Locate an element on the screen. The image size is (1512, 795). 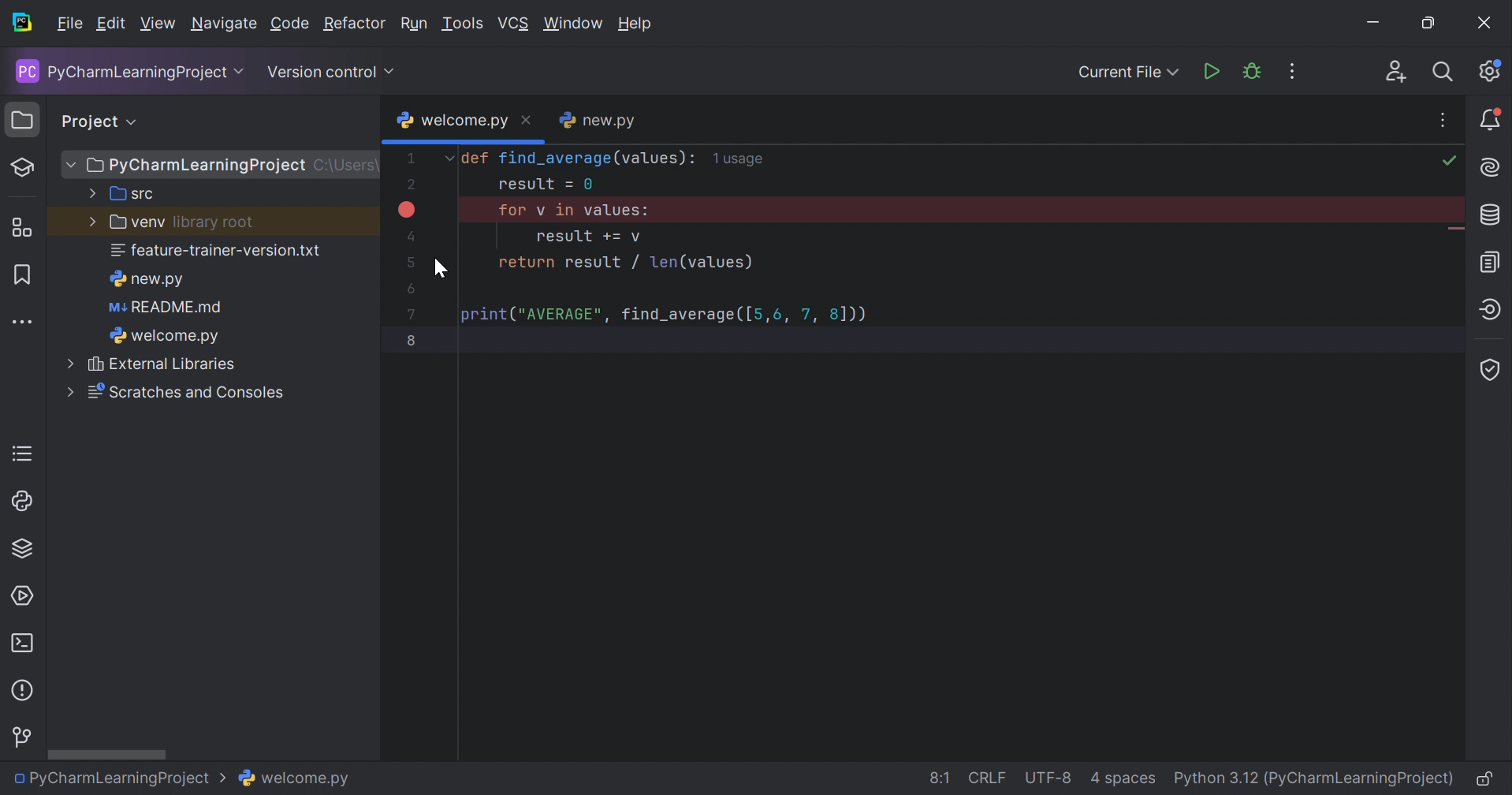
Code With Me is located at coordinates (1396, 73).